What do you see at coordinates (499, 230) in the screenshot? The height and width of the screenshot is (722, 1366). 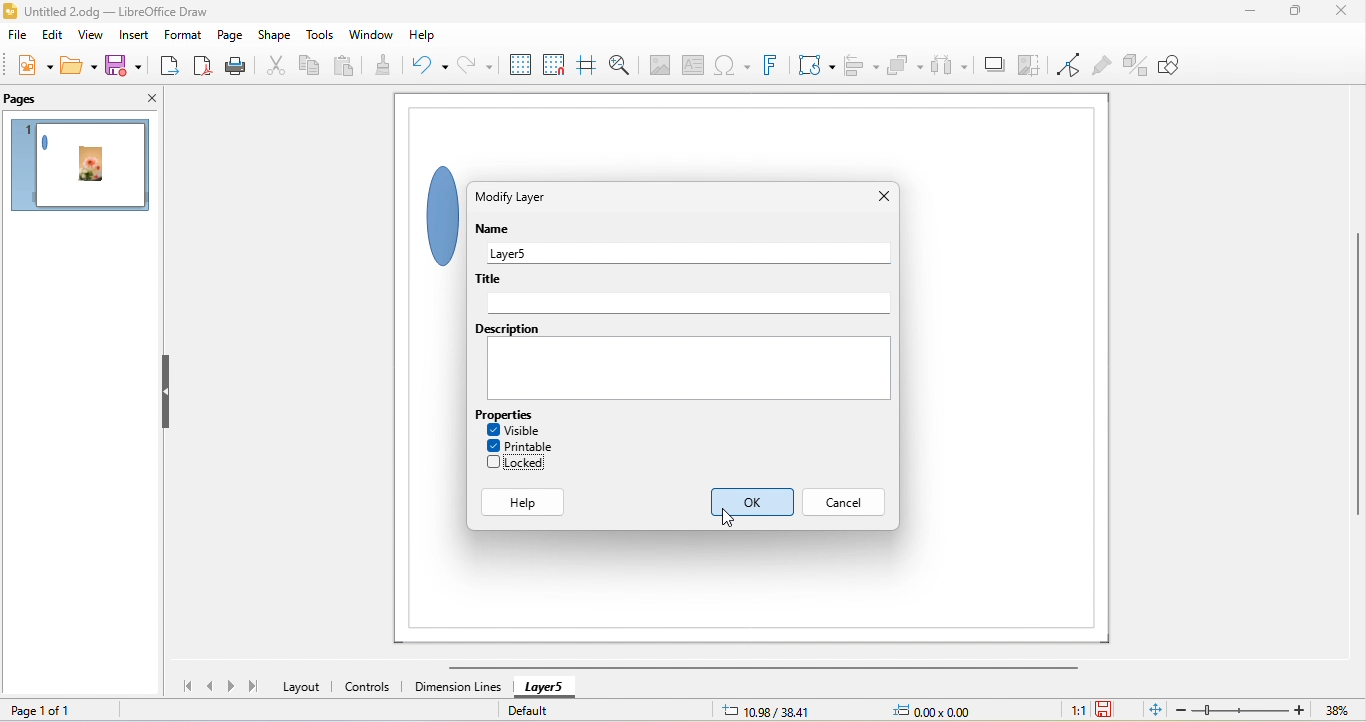 I see `name` at bounding box center [499, 230].